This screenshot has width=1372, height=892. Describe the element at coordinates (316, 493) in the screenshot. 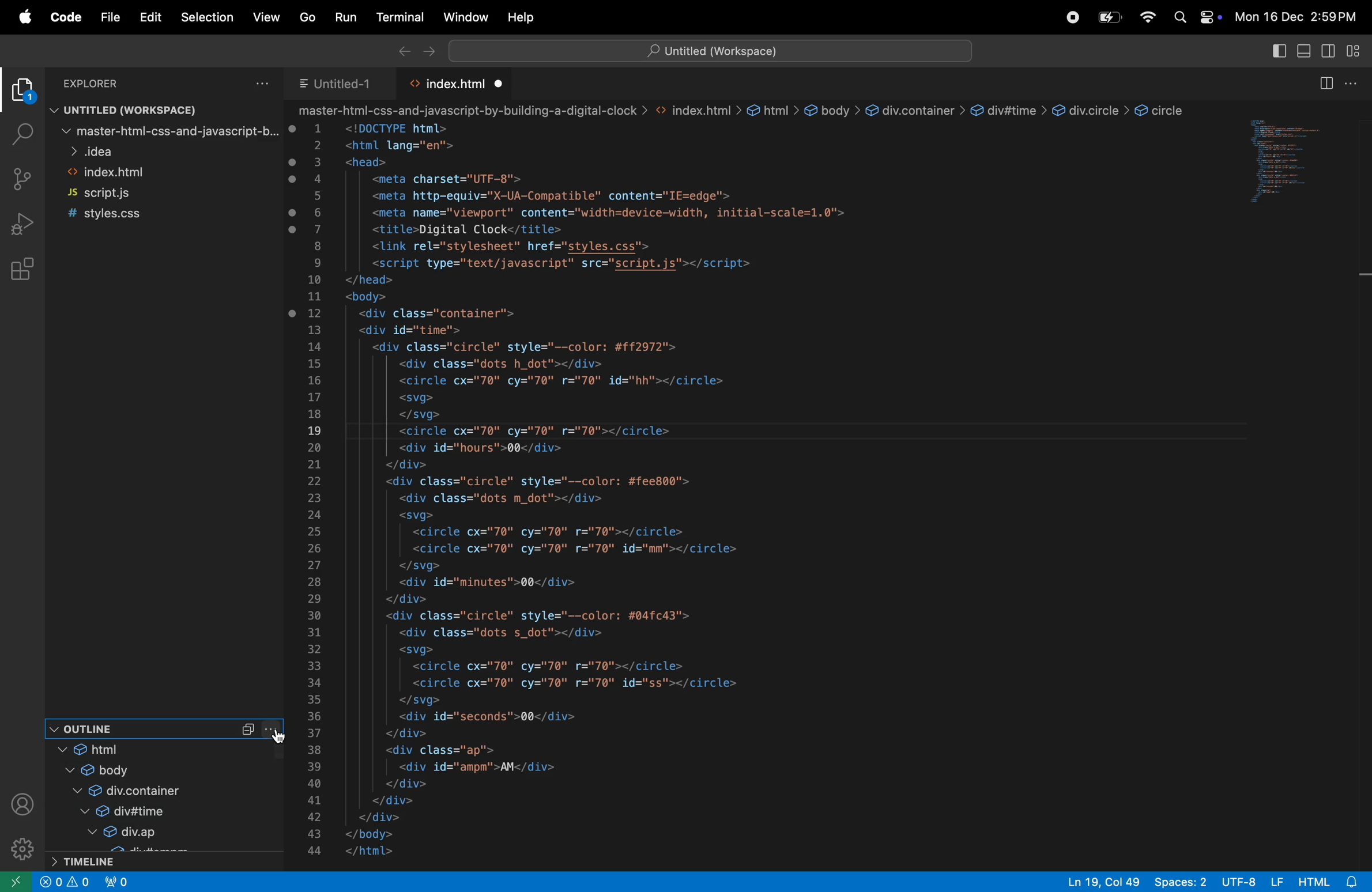

I see `line numbers` at that location.